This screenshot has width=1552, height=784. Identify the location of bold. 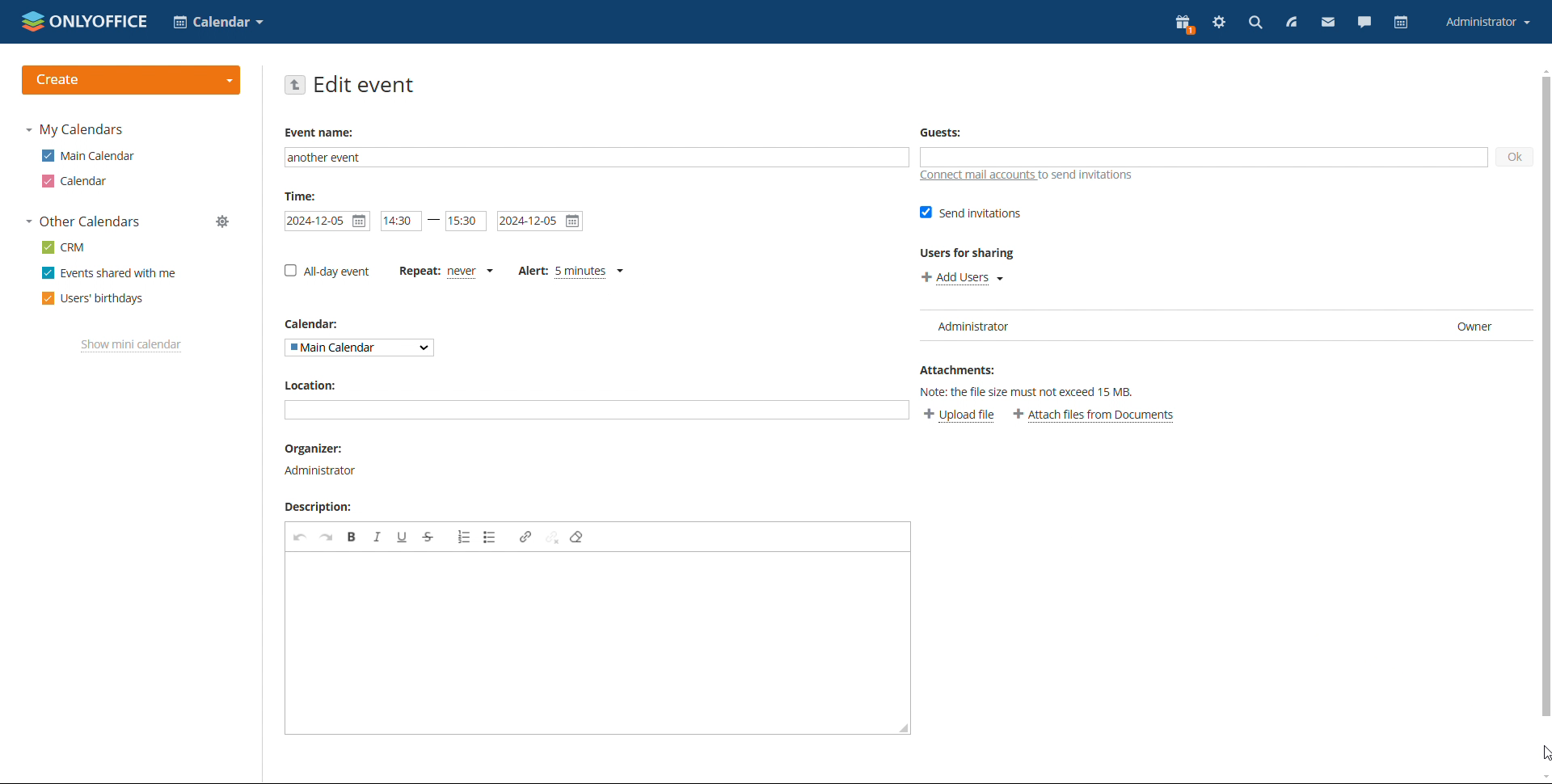
(352, 537).